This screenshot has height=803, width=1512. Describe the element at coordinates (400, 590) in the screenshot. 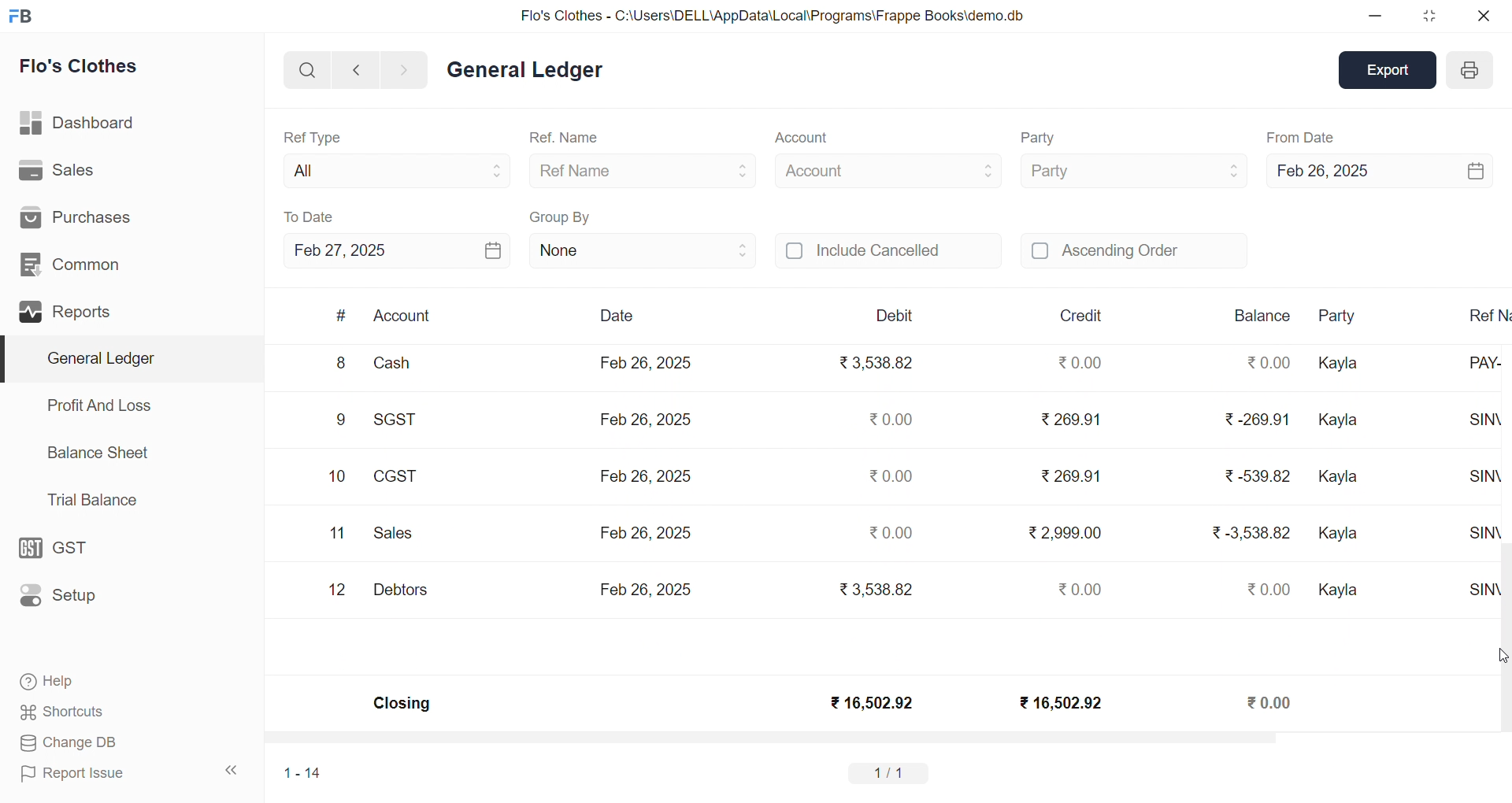

I see `Debtors` at that location.